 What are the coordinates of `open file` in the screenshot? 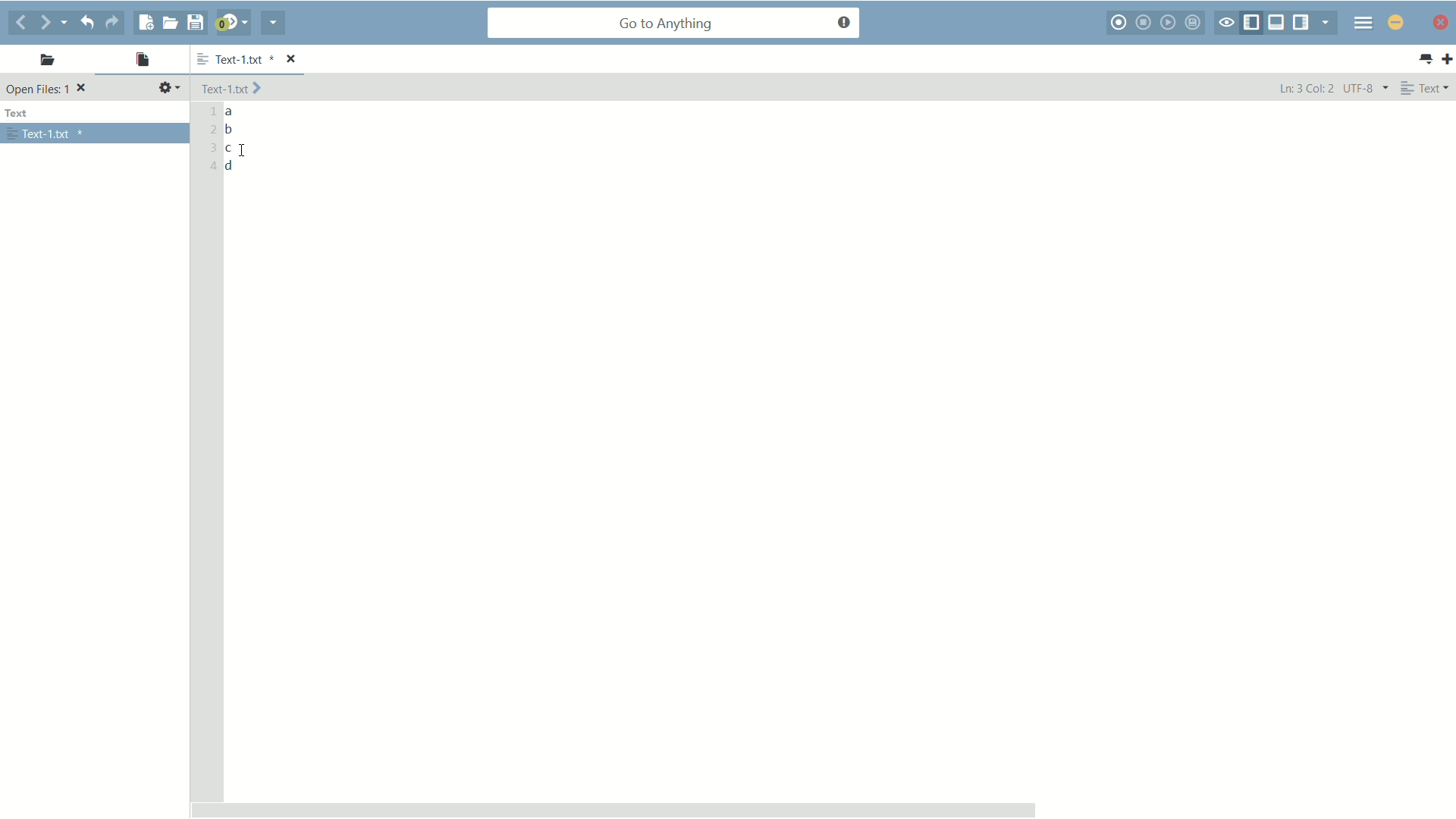 It's located at (170, 22).